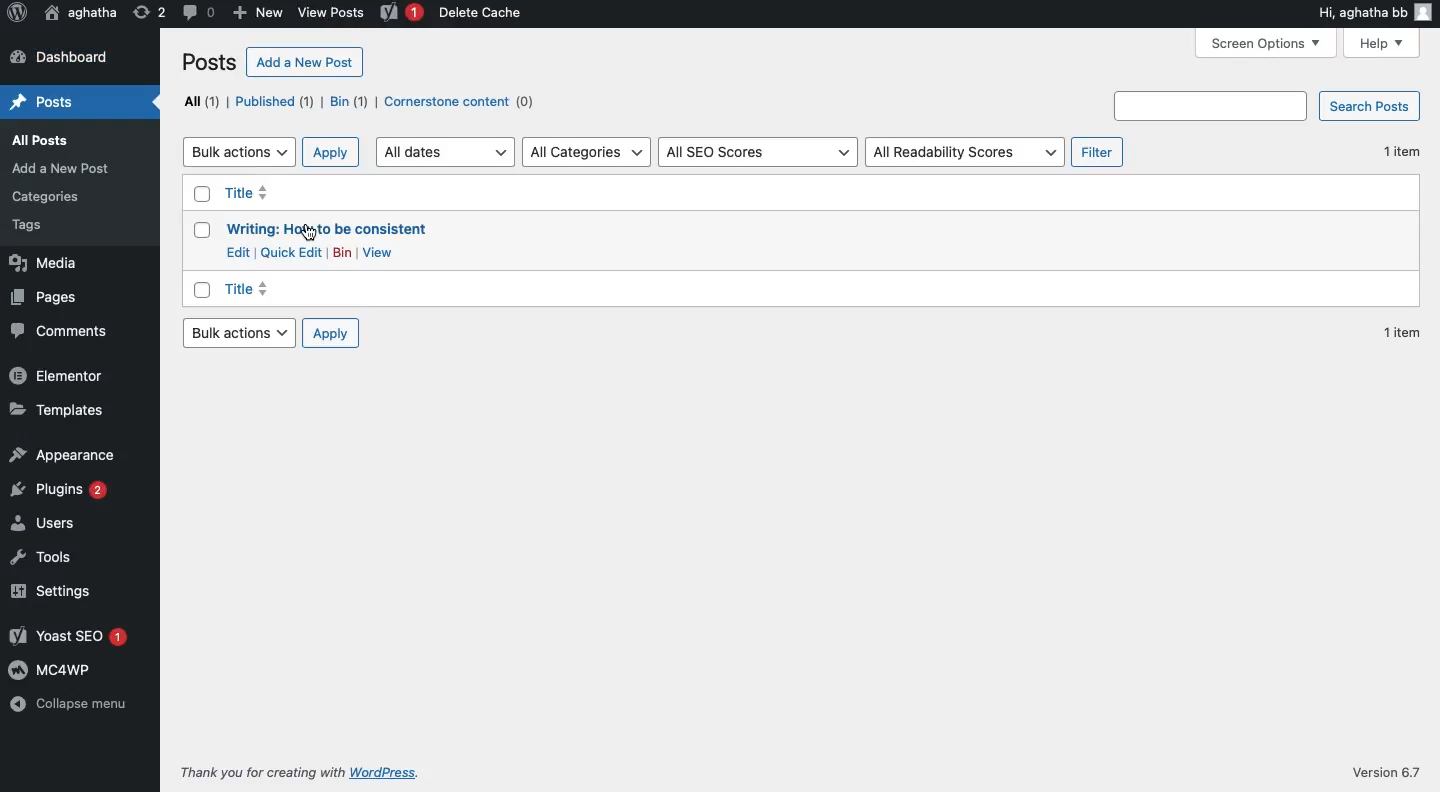 The image size is (1440, 792). I want to click on Delete cache, so click(482, 12).